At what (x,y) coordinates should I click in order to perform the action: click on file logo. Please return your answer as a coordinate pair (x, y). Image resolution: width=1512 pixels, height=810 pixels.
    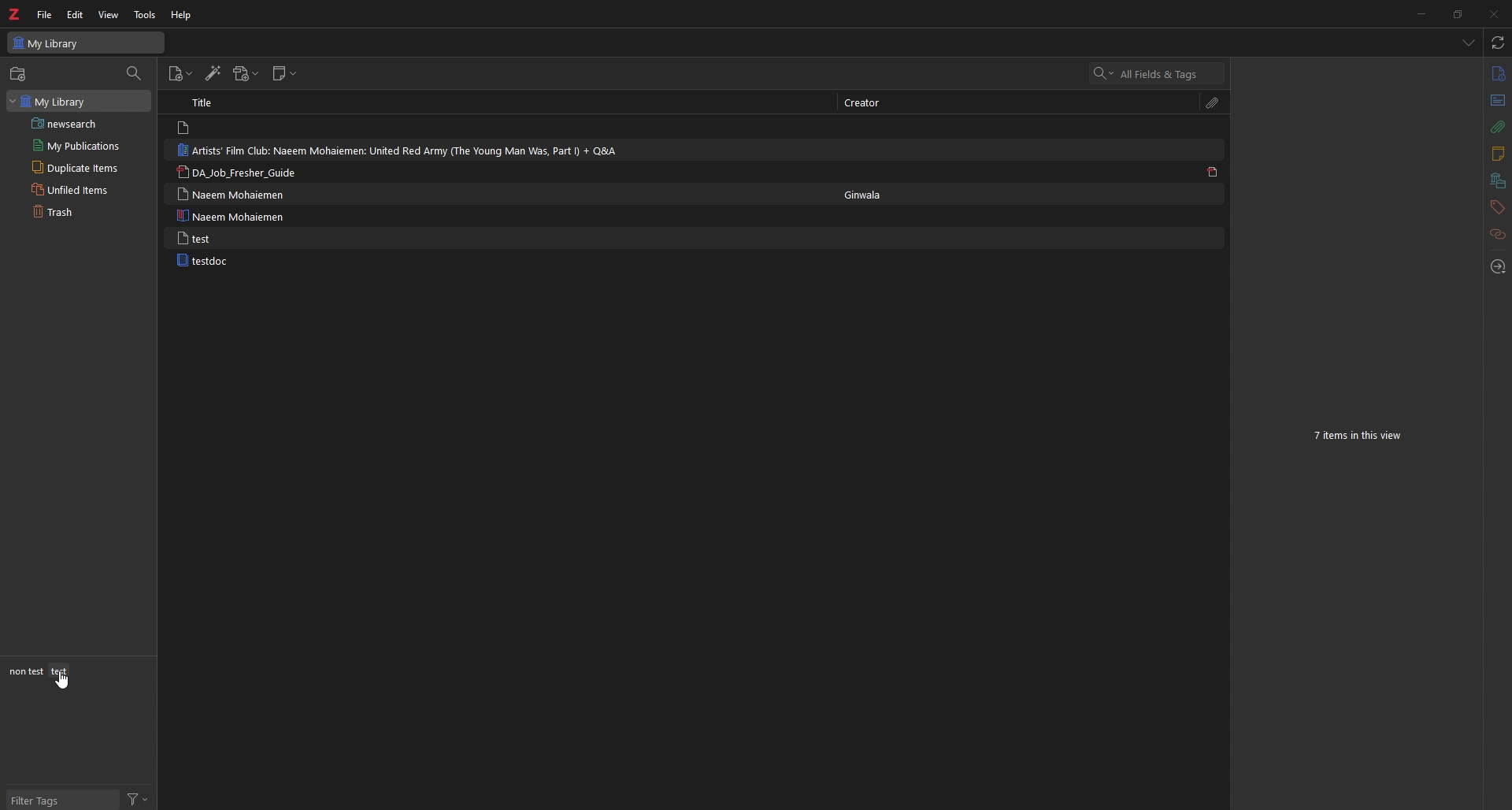
    Looking at the image, I should click on (187, 128).